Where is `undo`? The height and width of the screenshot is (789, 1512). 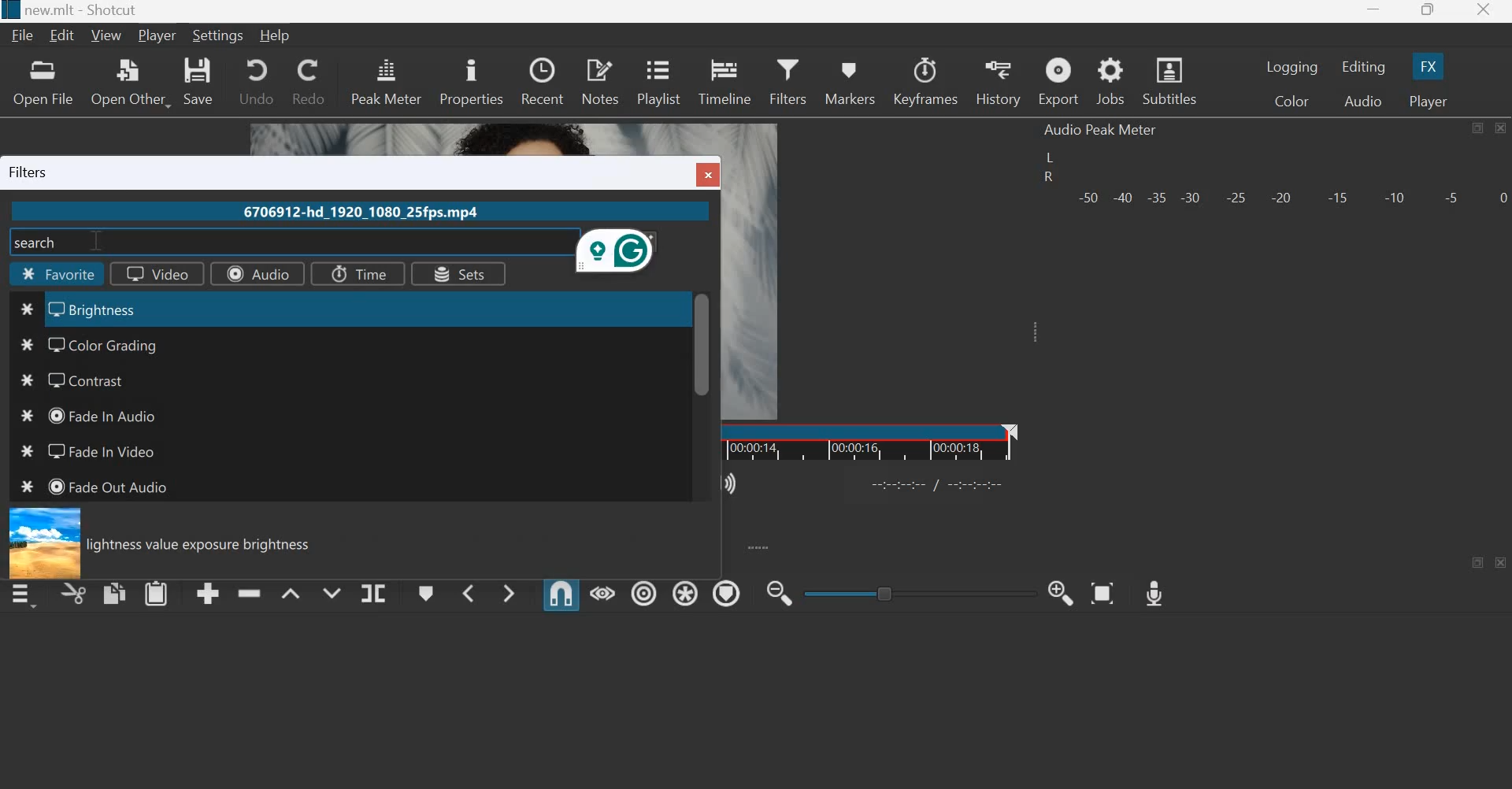 undo is located at coordinates (256, 80).